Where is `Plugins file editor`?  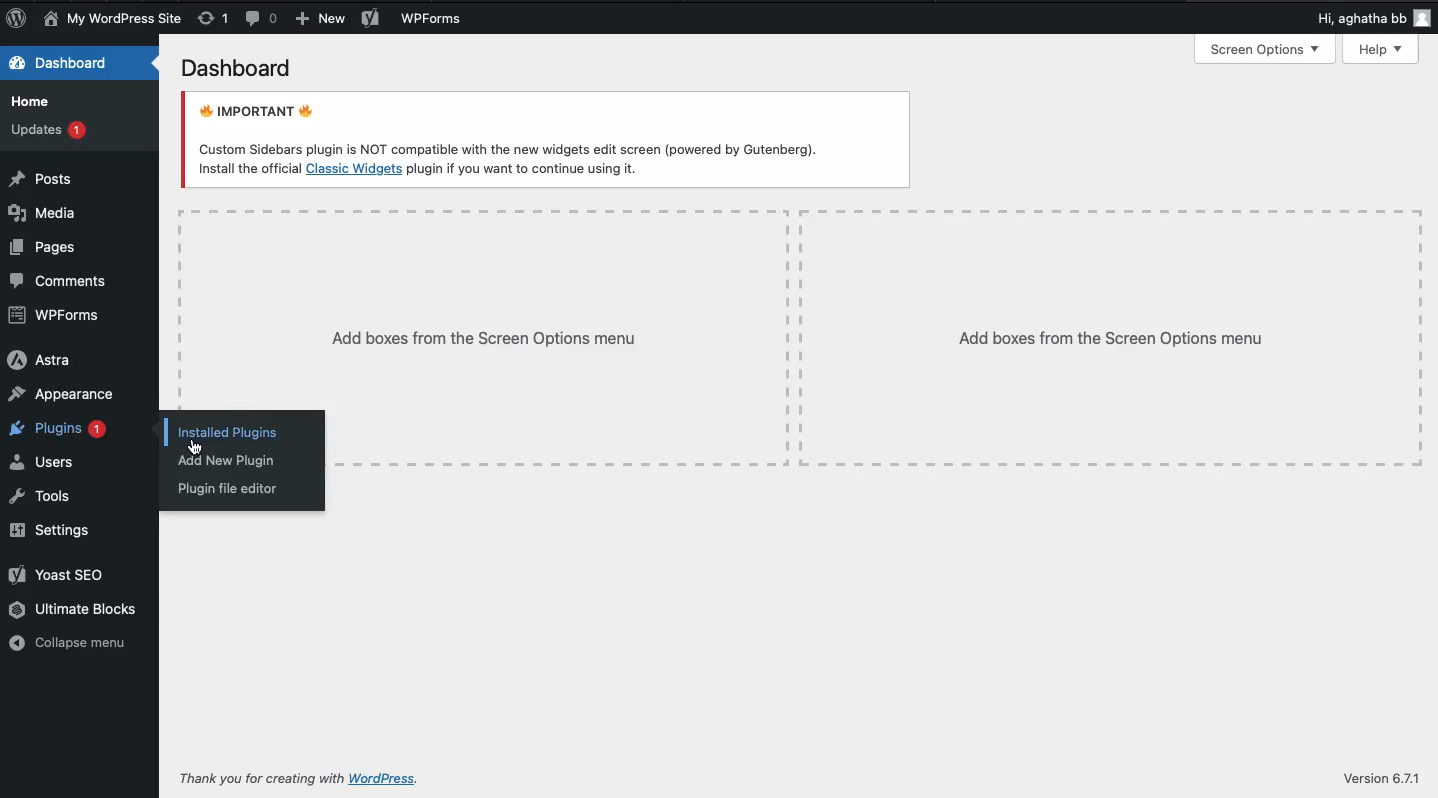 Plugins file editor is located at coordinates (228, 489).